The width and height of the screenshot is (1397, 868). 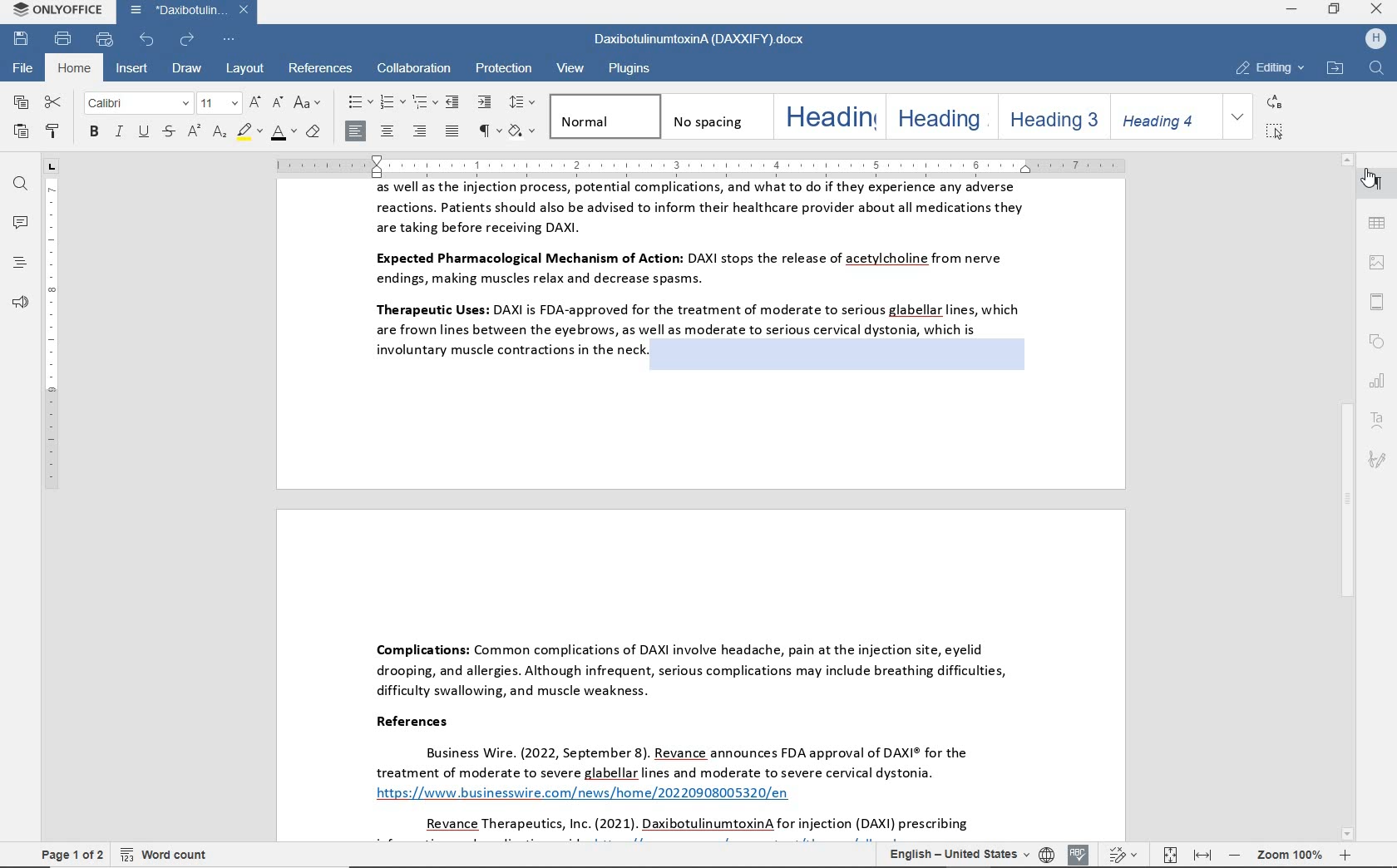 What do you see at coordinates (22, 104) in the screenshot?
I see `copy` at bounding box center [22, 104].